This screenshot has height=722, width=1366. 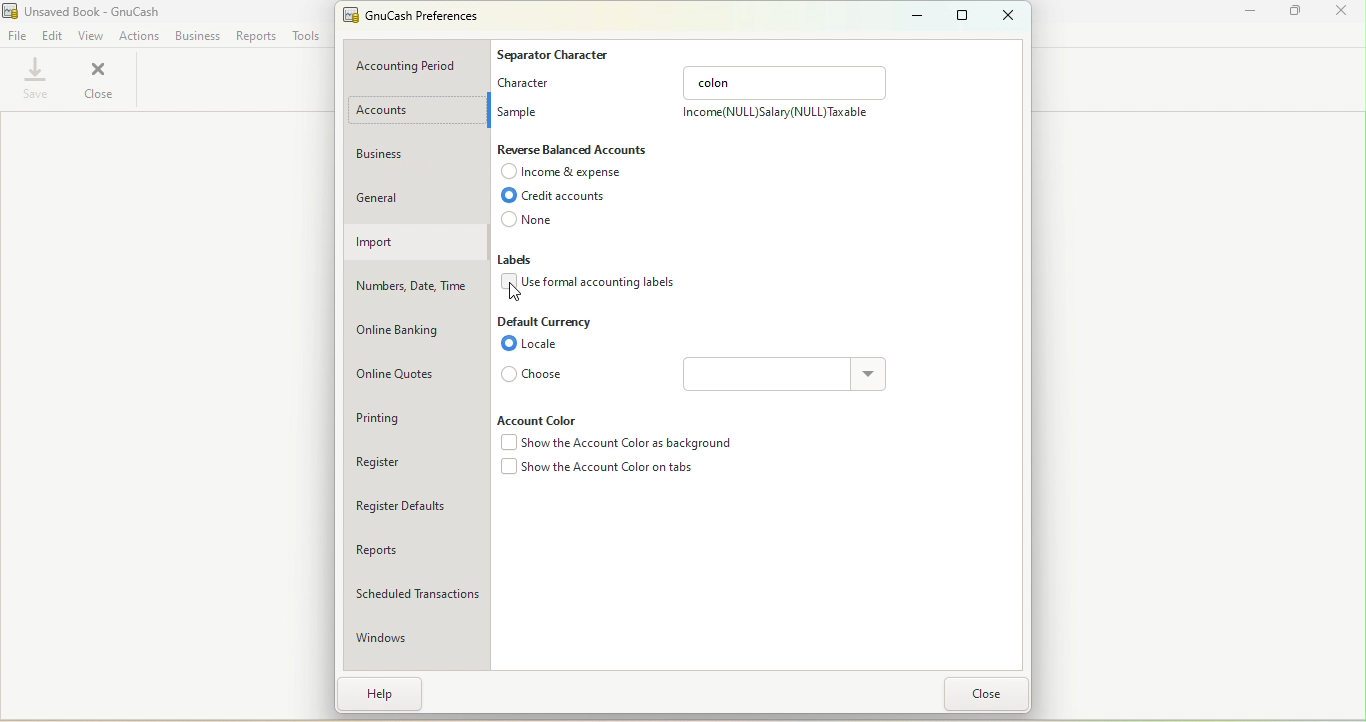 What do you see at coordinates (556, 52) in the screenshot?
I see `Separate character` at bounding box center [556, 52].